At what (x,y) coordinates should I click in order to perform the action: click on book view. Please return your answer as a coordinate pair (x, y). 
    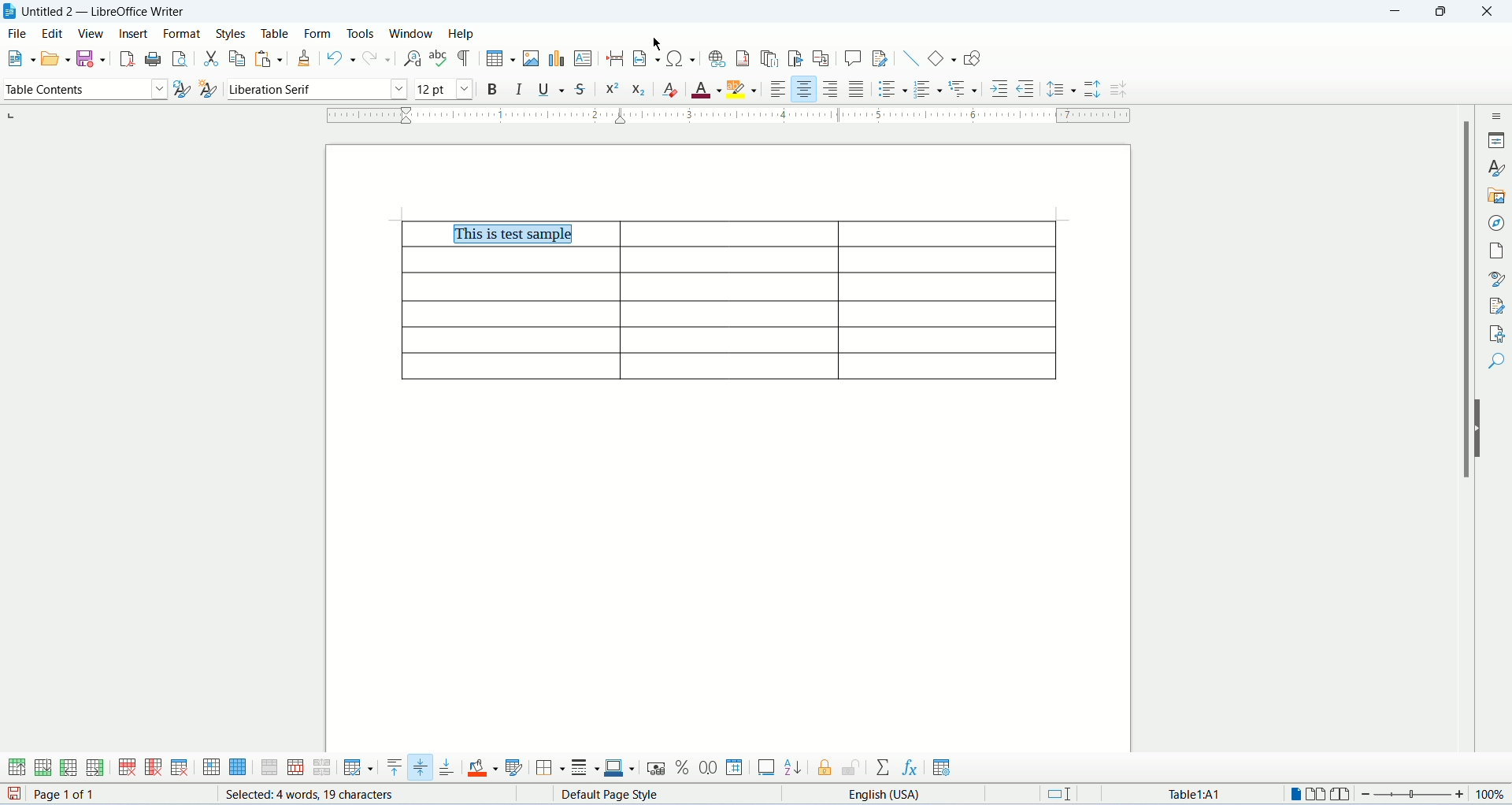
    Looking at the image, I should click on (1343, 795).